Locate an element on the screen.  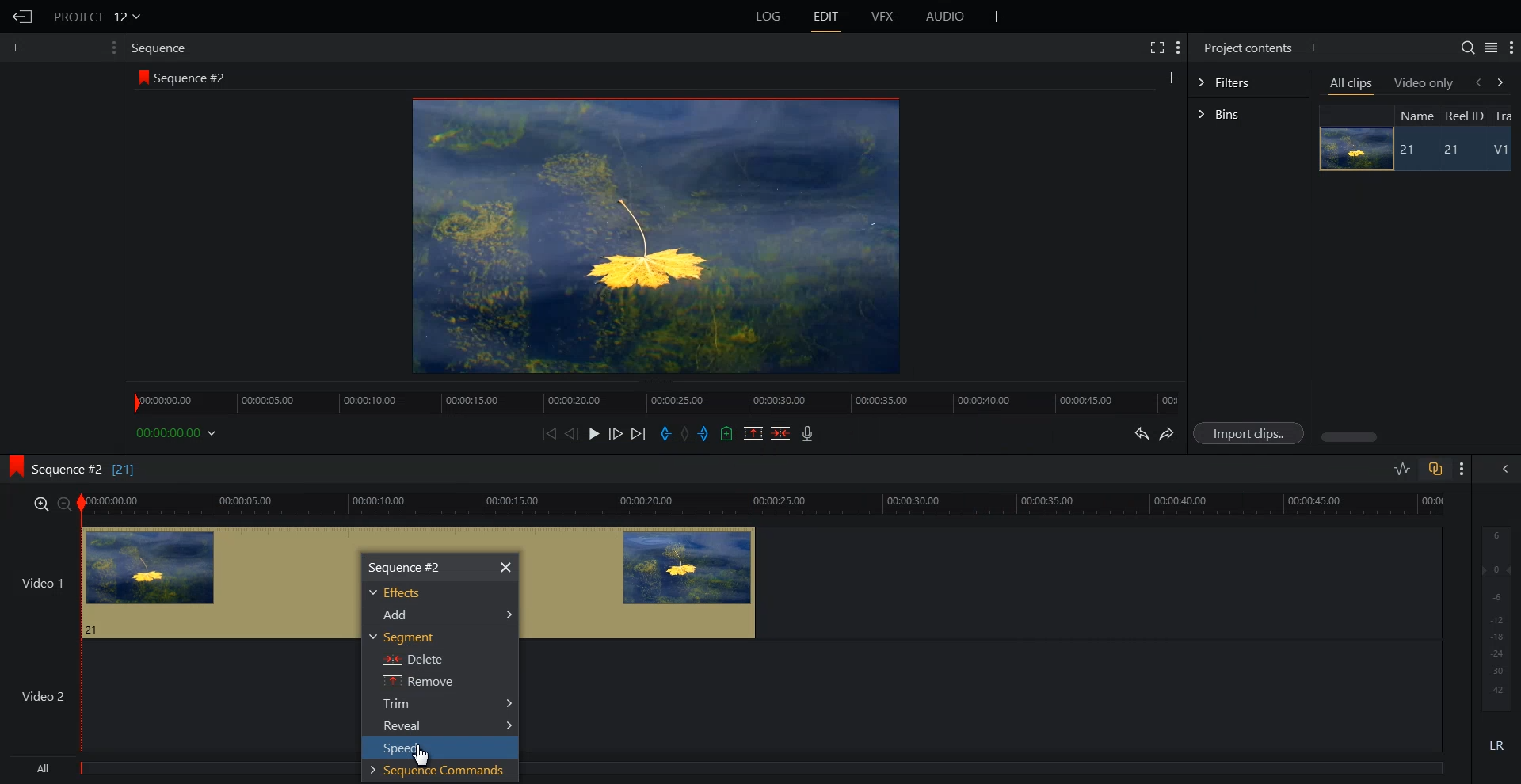
Timeline is located at coordinates (655, 398).